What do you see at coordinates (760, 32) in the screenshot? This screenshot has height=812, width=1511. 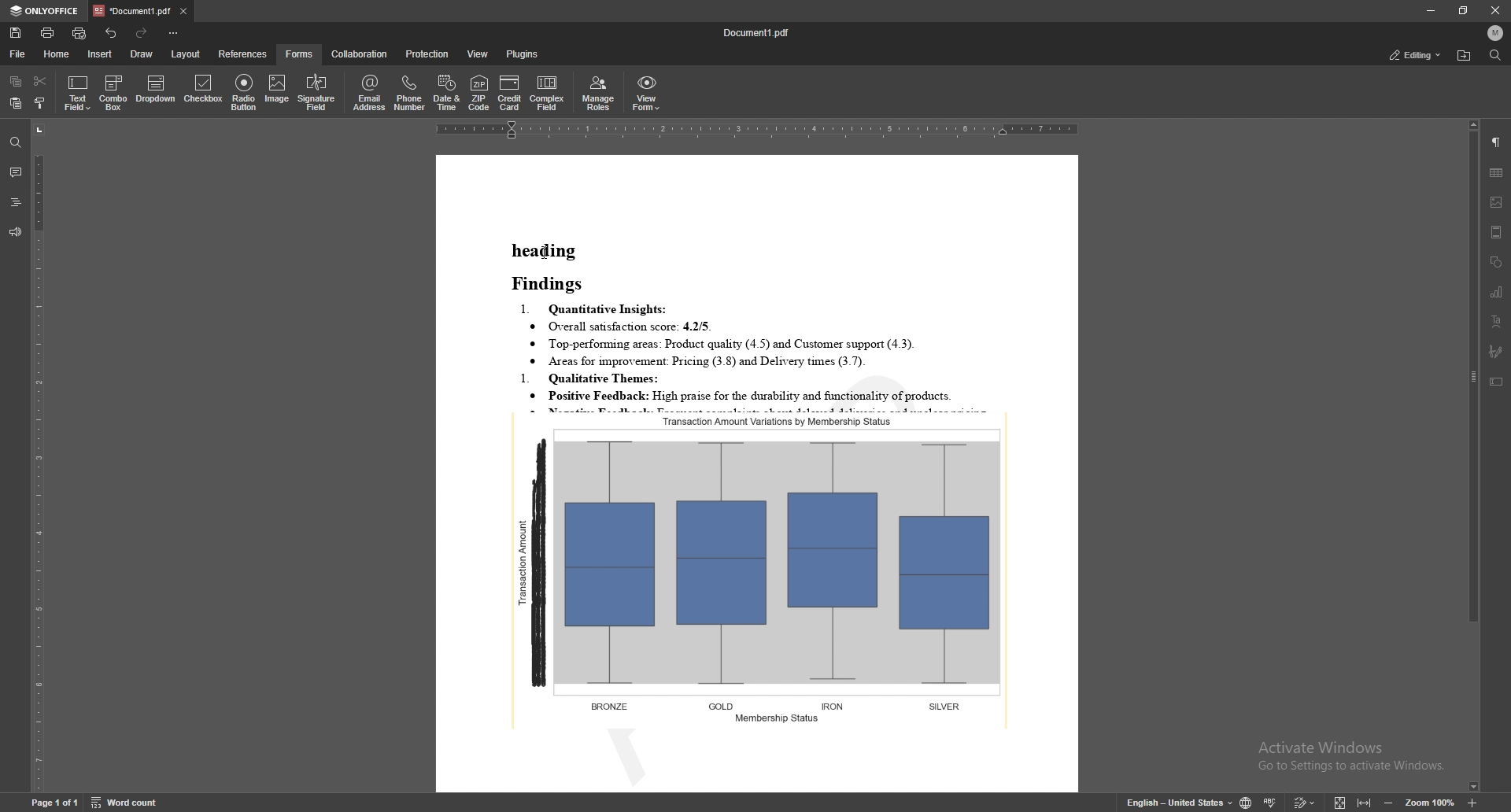 I see `file name` at bounding box center [760, 32].